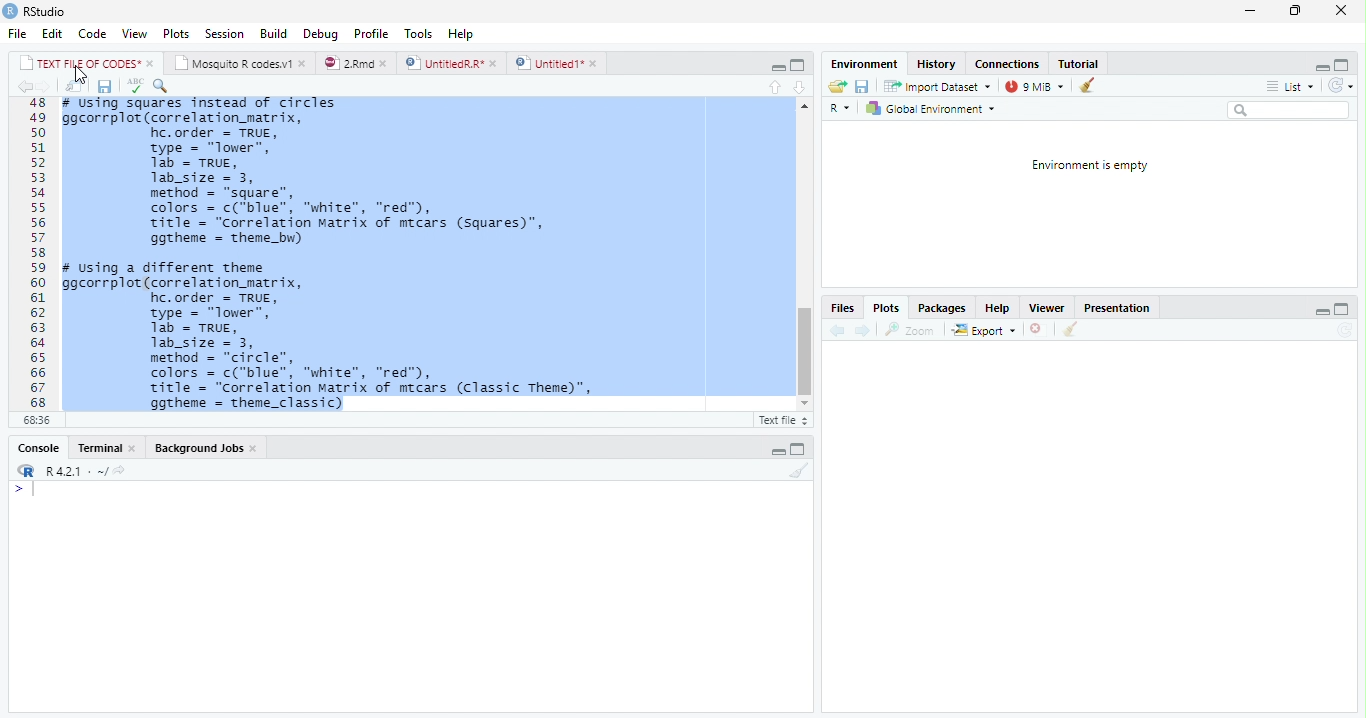  What do you see at coordinates (275, 33) in the screenshot?
I see `Build` at bounding box center [275, 33].